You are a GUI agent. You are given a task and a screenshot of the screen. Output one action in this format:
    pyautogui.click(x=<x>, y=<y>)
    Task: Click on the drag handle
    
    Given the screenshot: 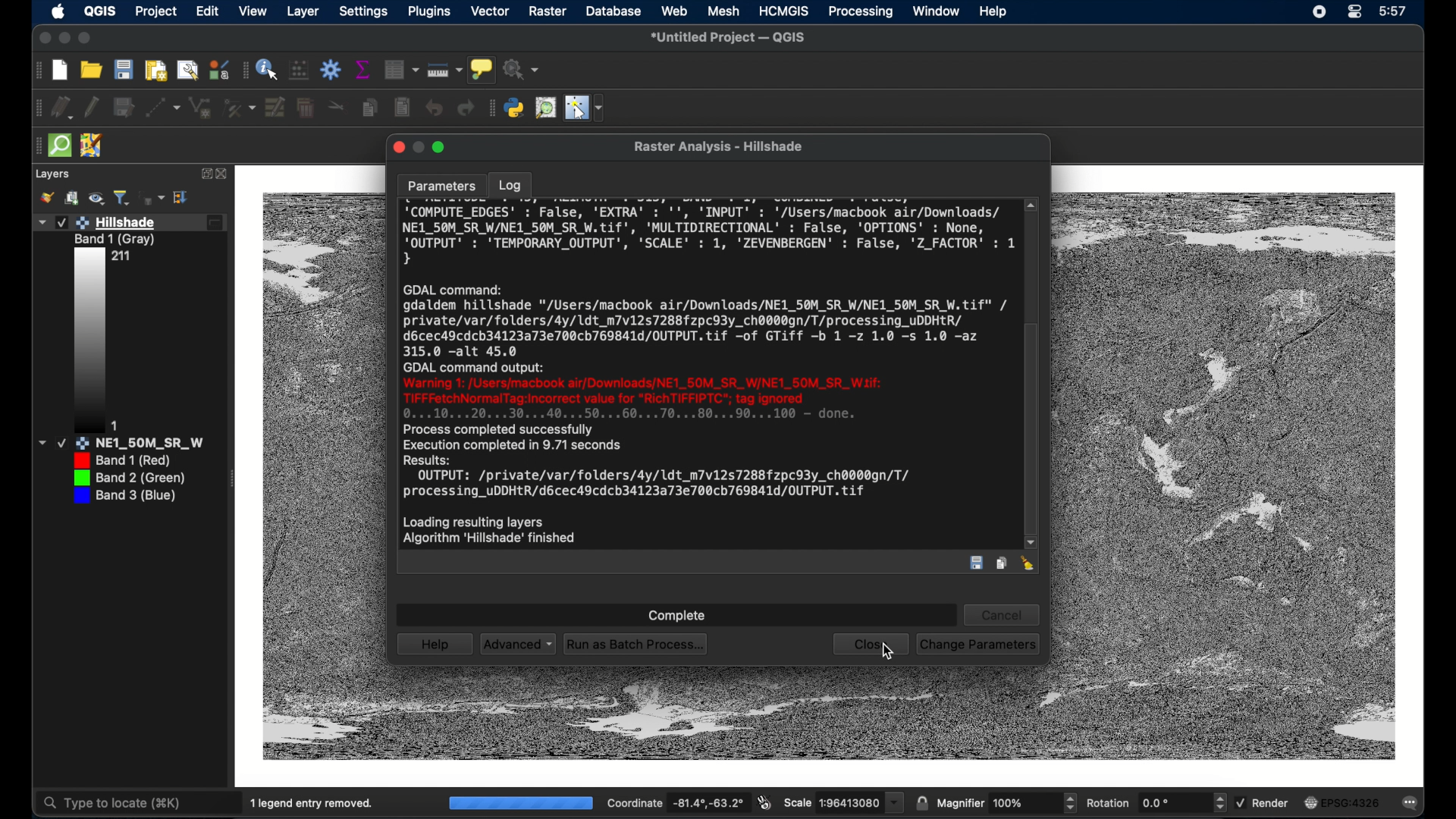 What is the action you would take?
    pyautogui.click(x=36, y=146)
    